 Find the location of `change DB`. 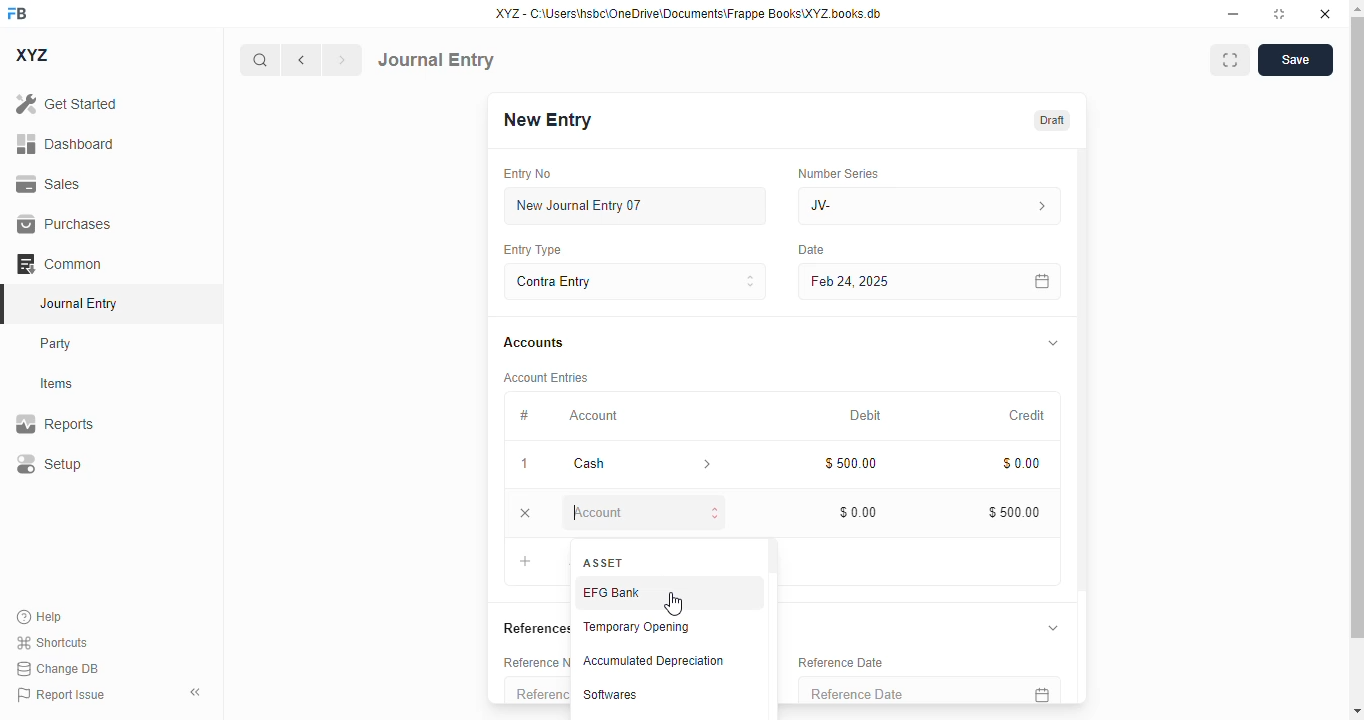

change DB is located at coordinates (57, 668).